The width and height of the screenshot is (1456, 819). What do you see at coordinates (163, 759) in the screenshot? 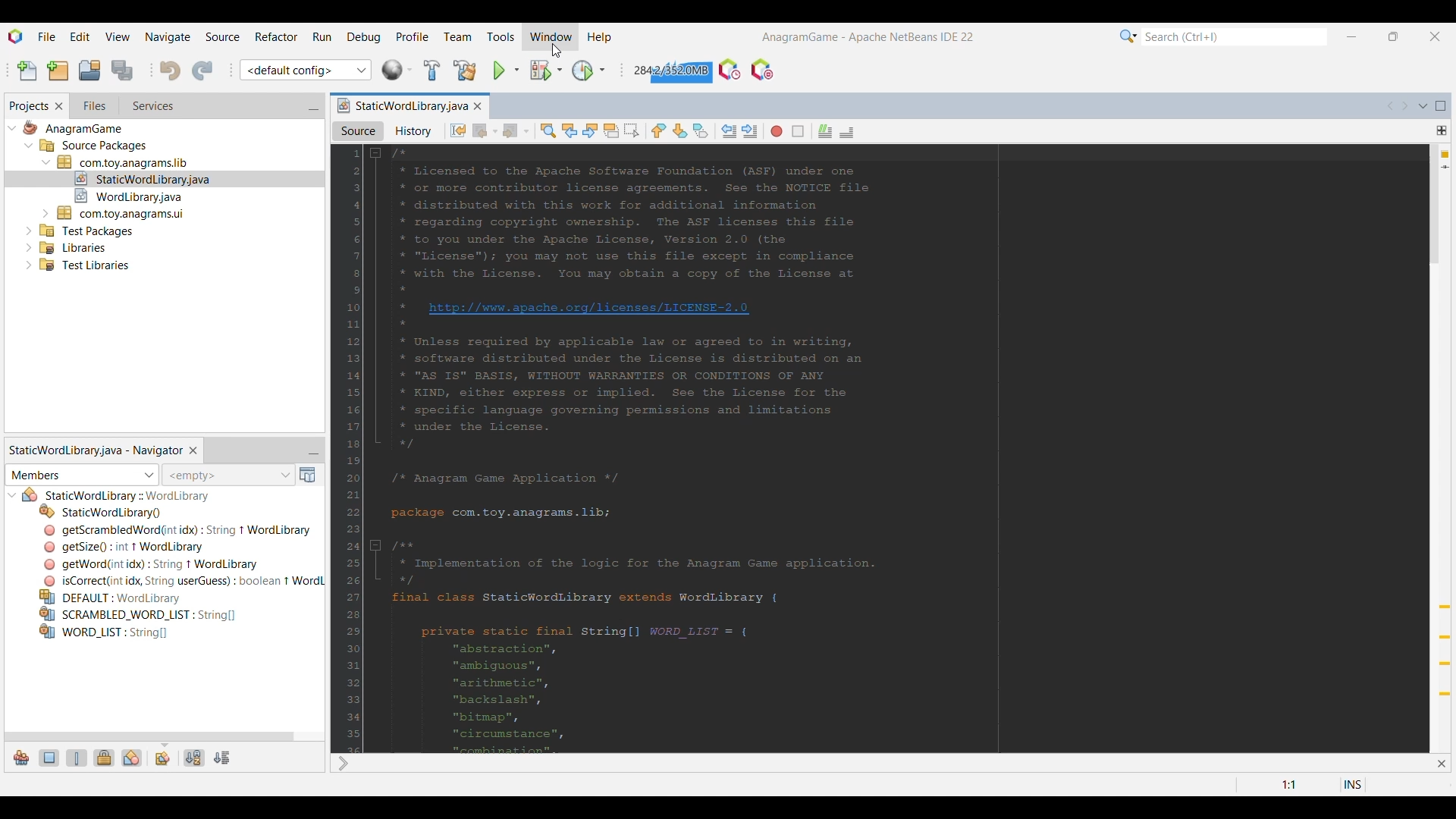
I see `Fully qualified names` at bounding box center [163, 759].